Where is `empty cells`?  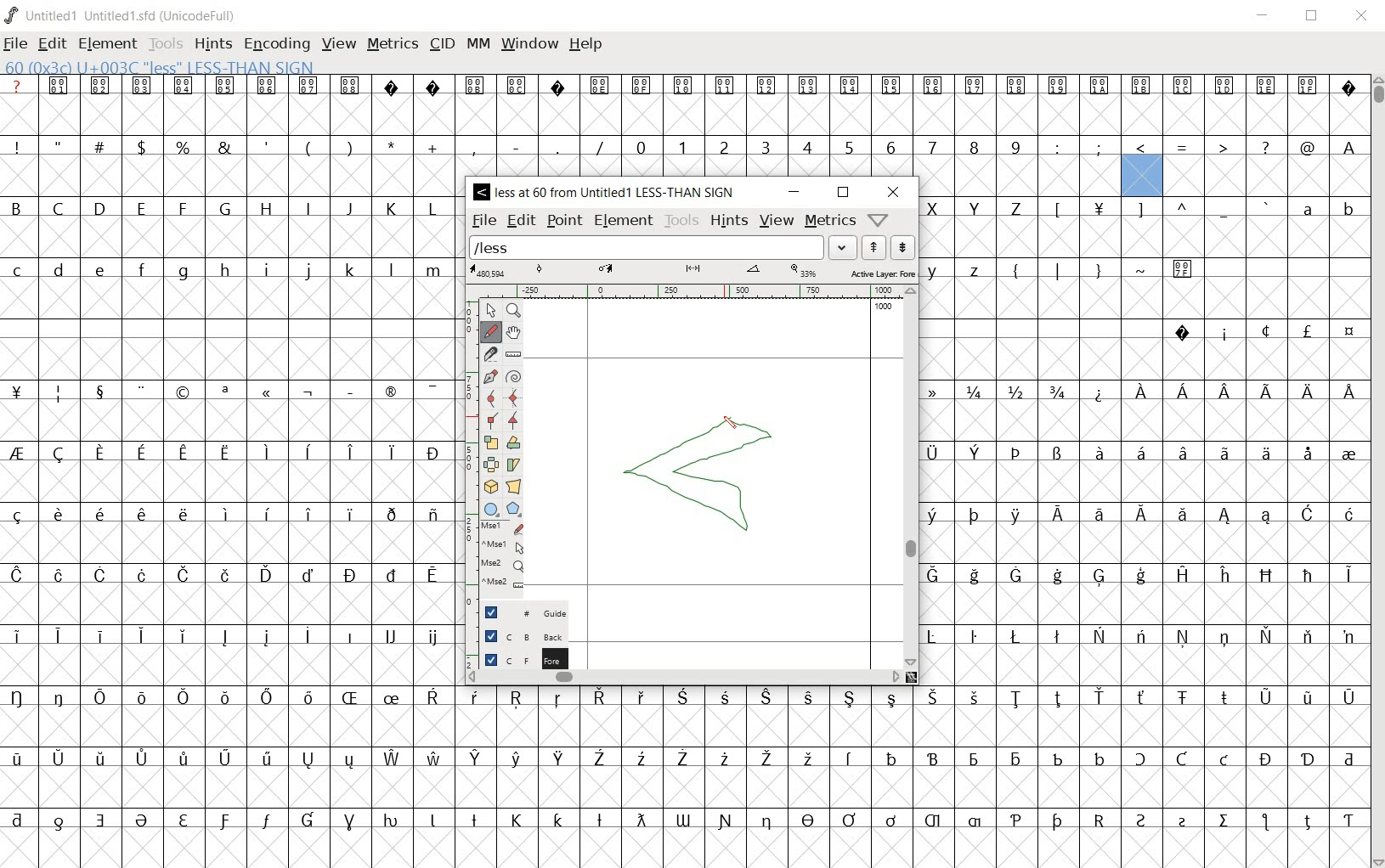
empty cells is located at coordinates (1262, 176).